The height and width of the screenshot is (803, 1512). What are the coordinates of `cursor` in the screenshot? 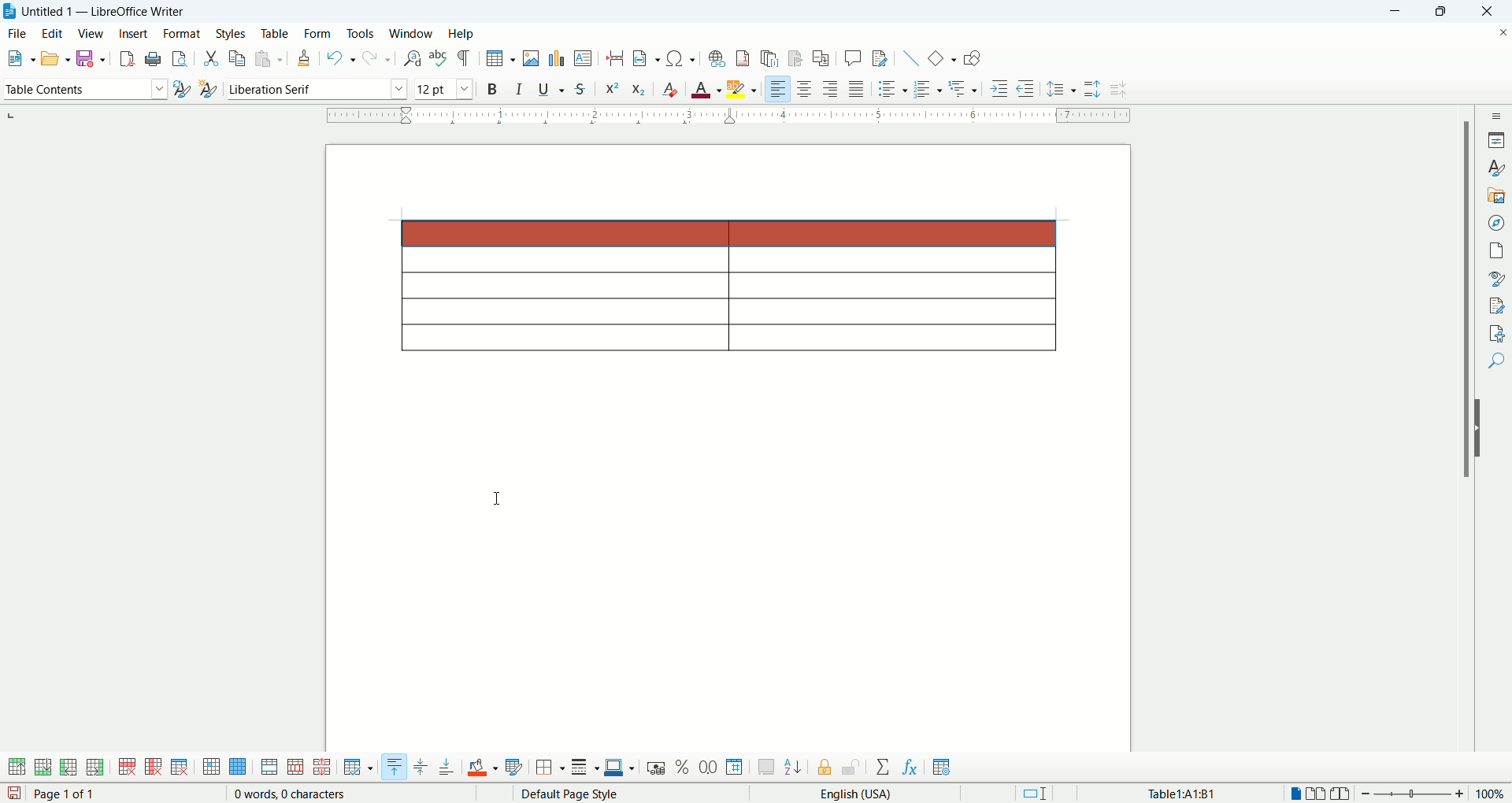 It's located at (495, 498).